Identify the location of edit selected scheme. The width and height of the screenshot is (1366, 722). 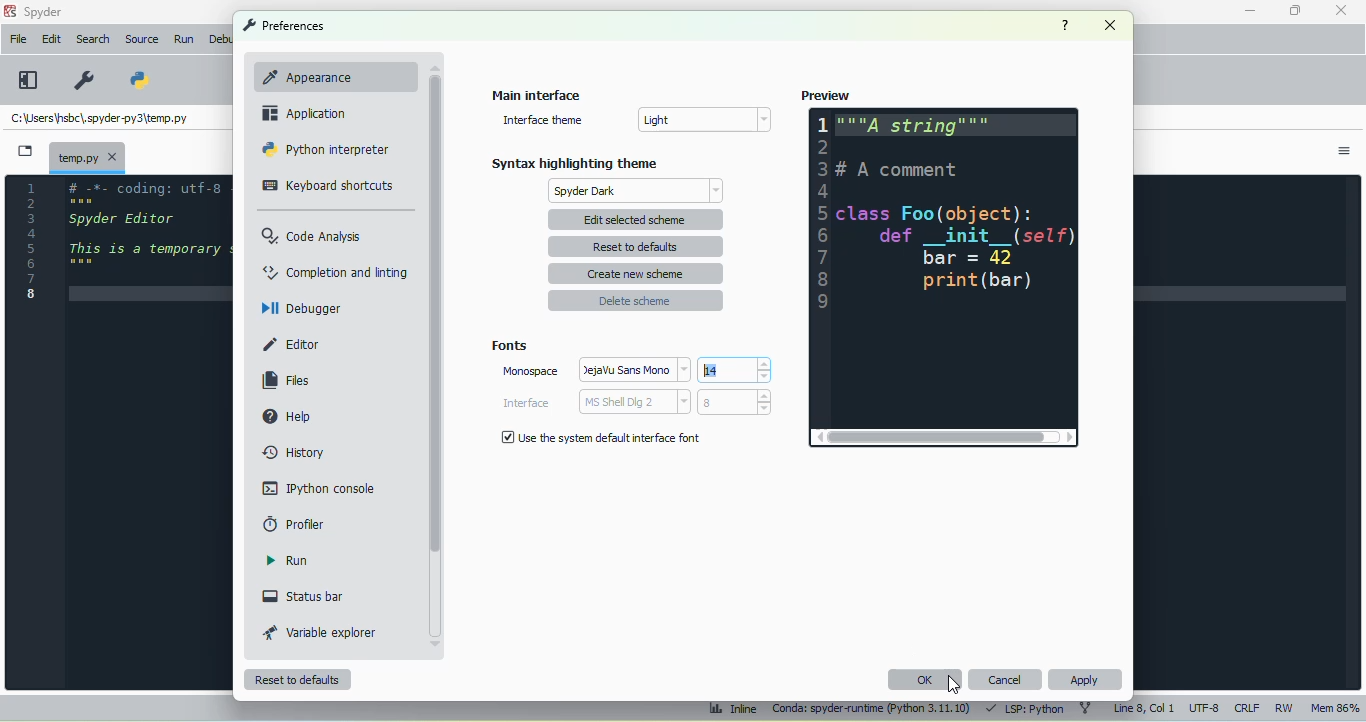
(637, 219).